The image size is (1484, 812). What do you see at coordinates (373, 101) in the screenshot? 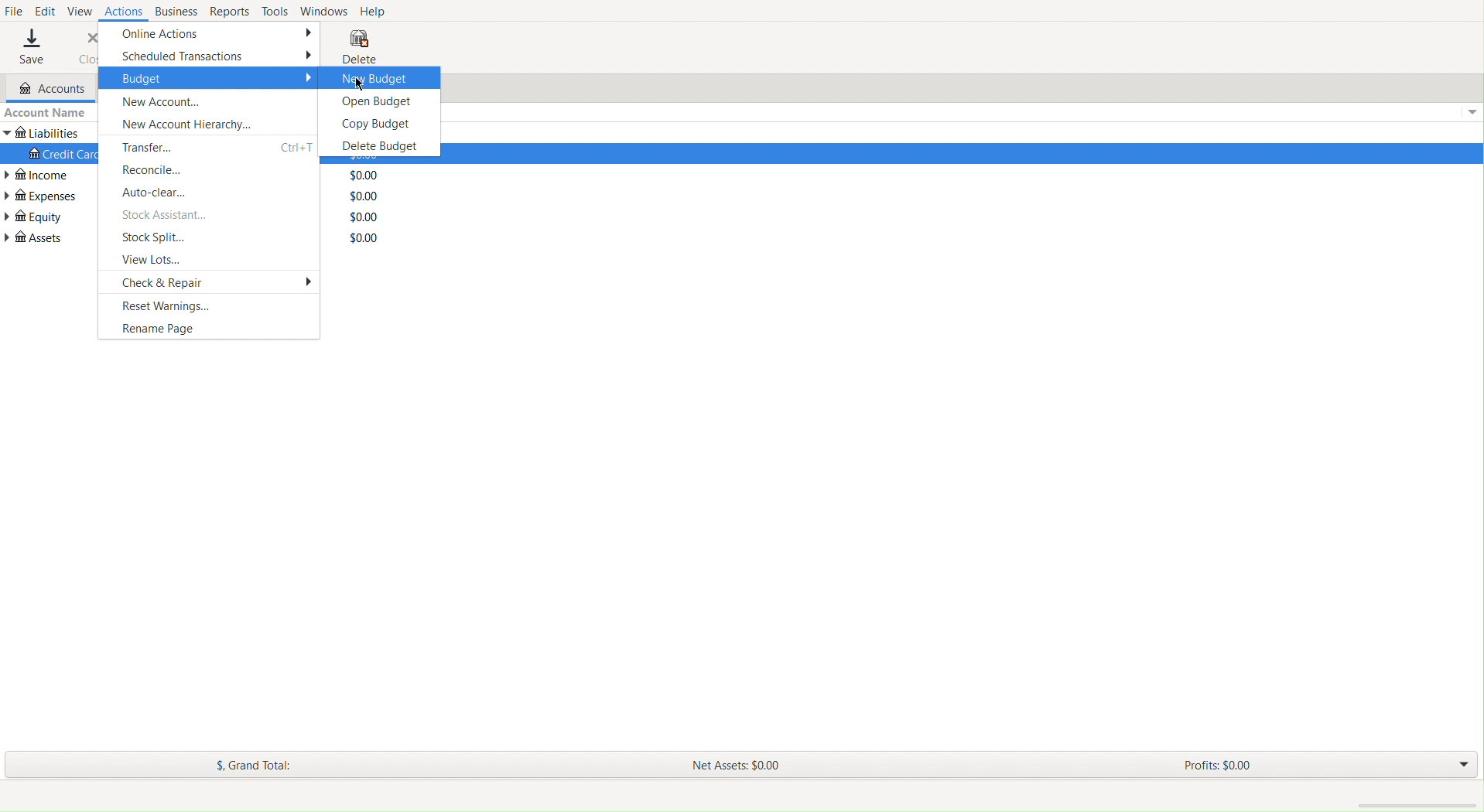
I see `Open Budget` at bounding box center [373, 101].